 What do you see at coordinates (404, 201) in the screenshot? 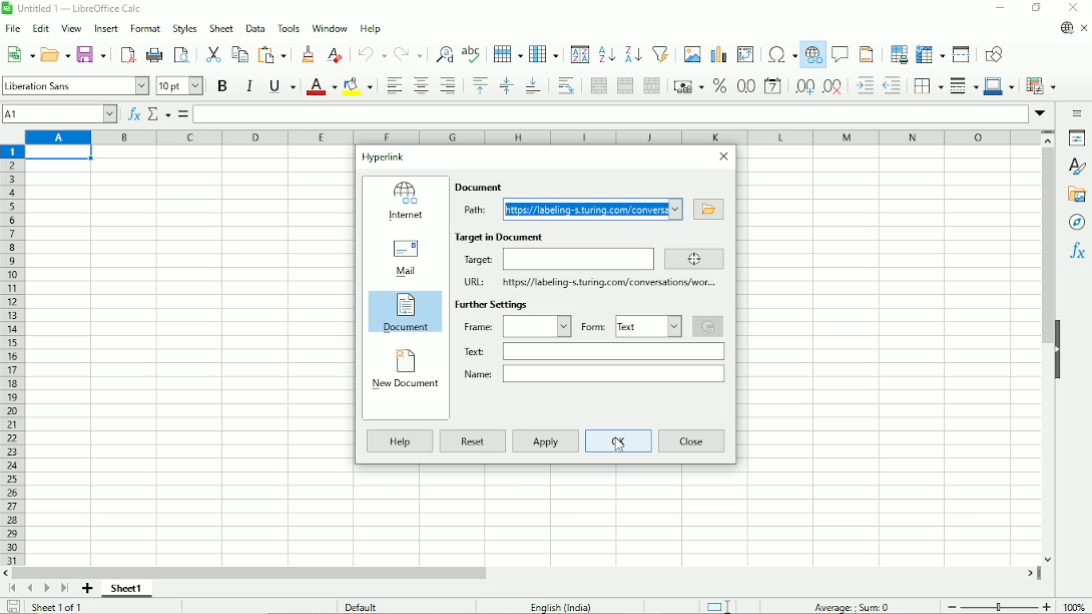
I see `Internet` at bounding box center [404, 201].